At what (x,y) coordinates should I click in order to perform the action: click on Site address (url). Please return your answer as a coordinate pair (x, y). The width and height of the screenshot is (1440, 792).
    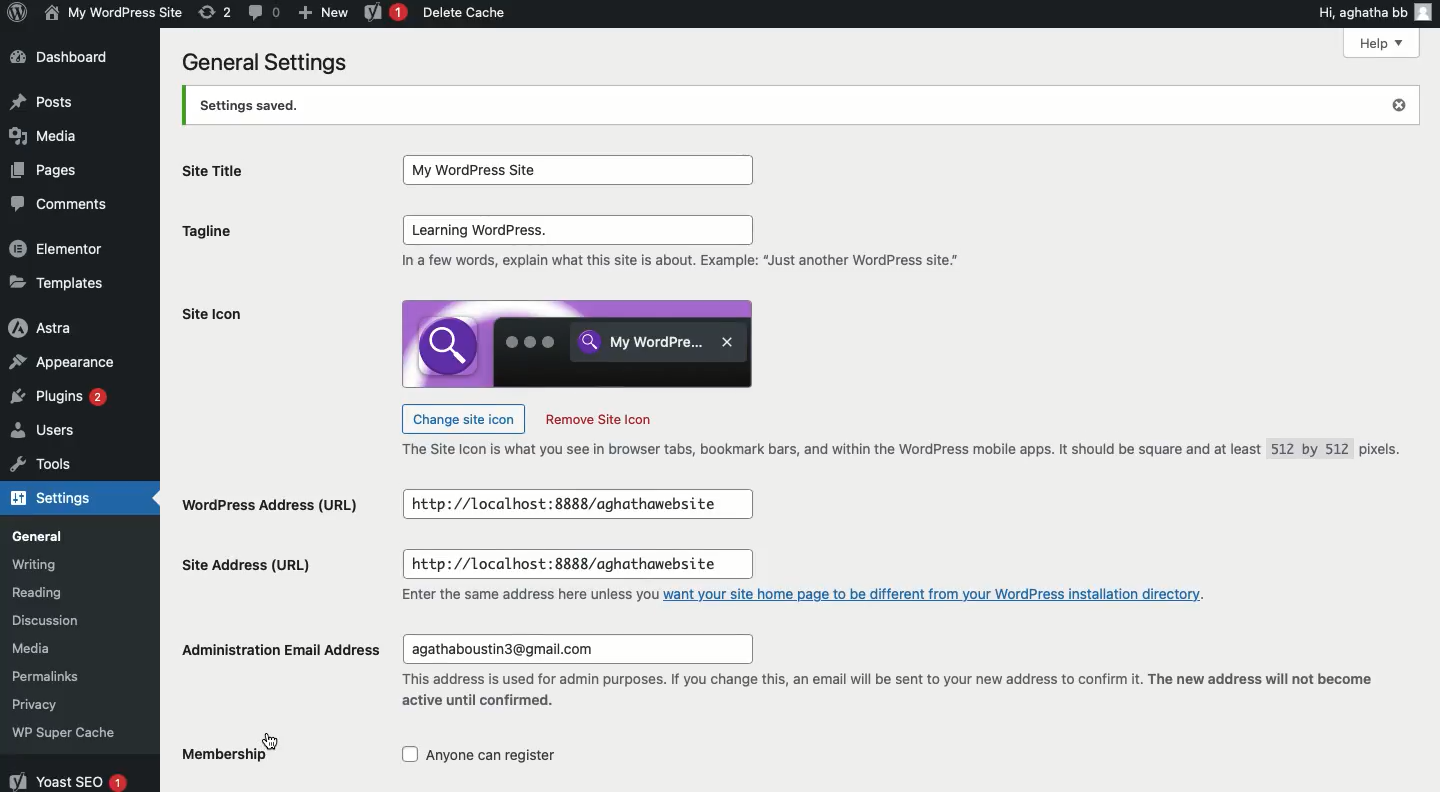
    Looking at the image, I should click on (248, 569).